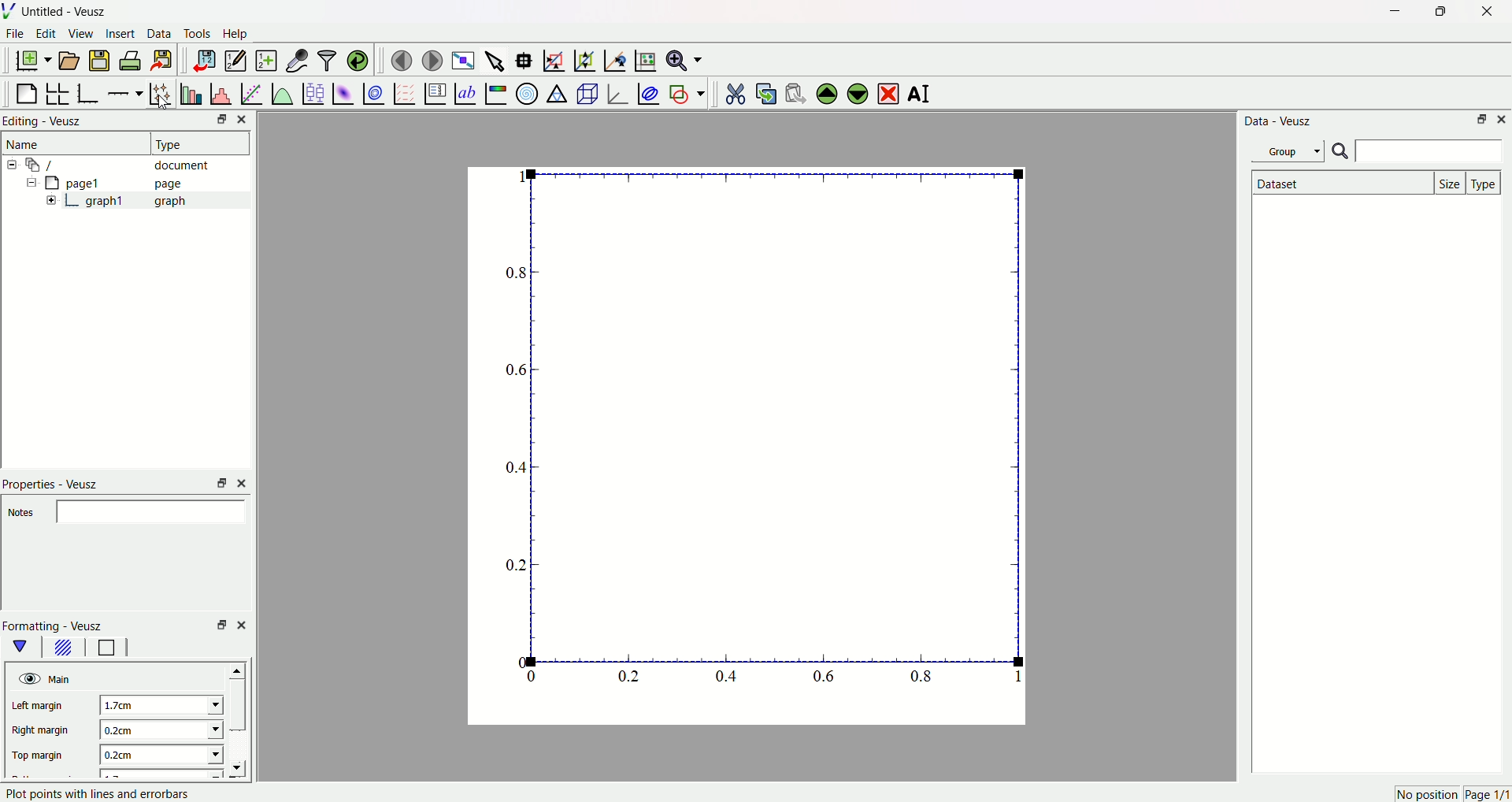 The width and height of the screenshot is (1512, 802). Describe the element at coordinates (1425, 794) in the screenshot. I see `no position` at that location.